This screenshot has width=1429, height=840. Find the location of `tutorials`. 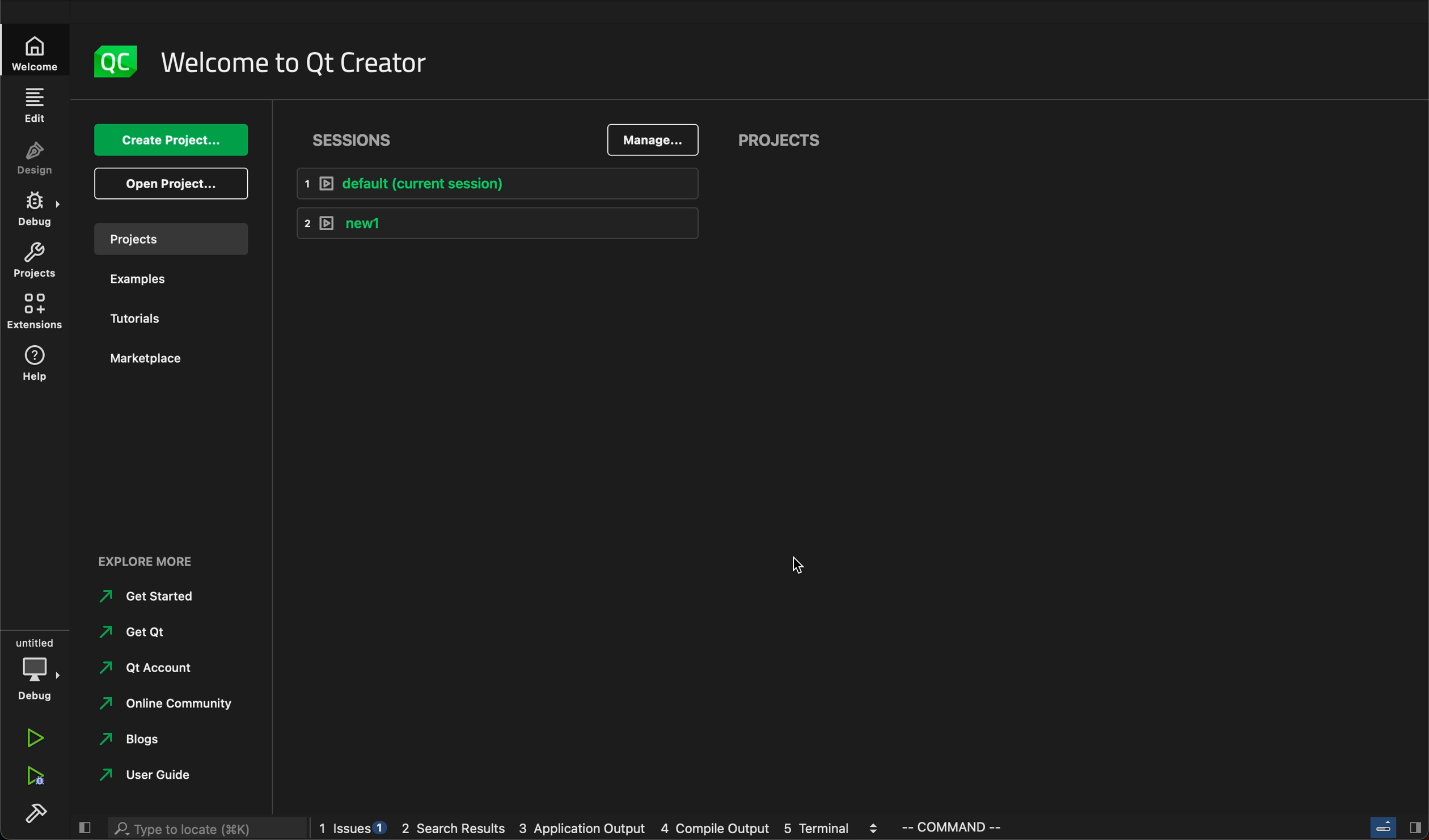

tutorials is located at coordinates (141, 316).